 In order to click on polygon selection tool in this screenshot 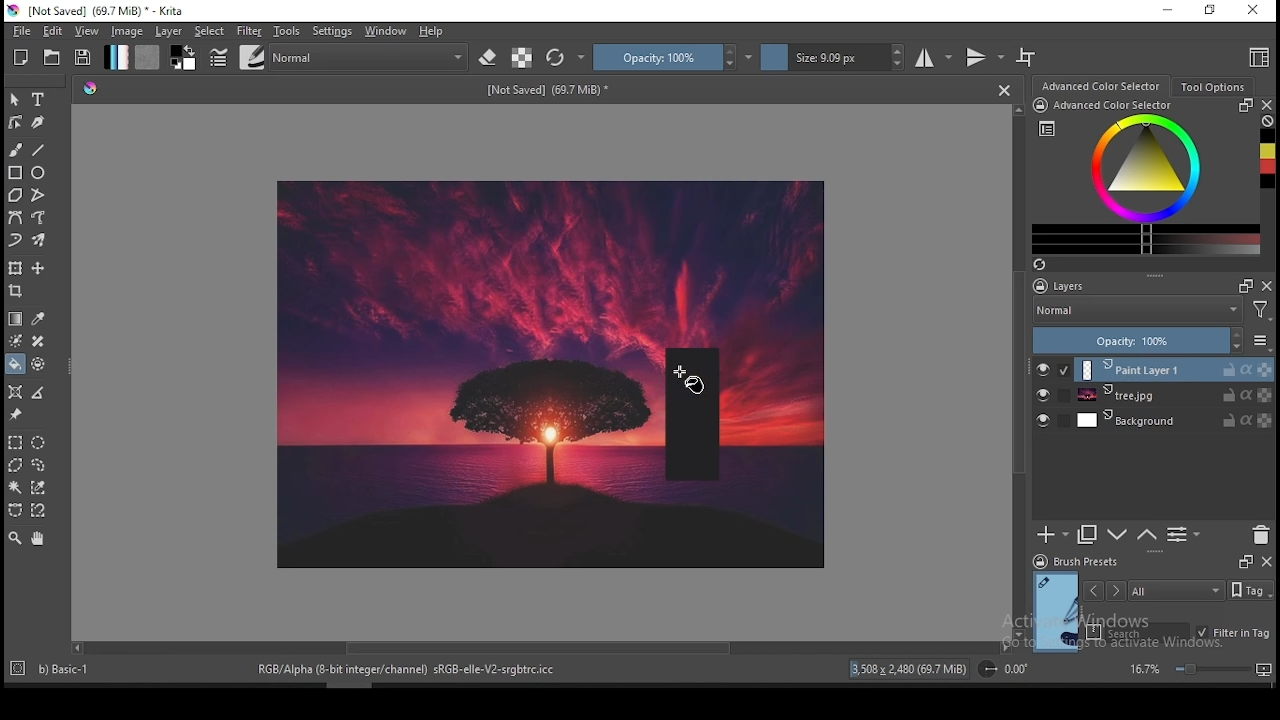, I will do `click(12, 465)`.